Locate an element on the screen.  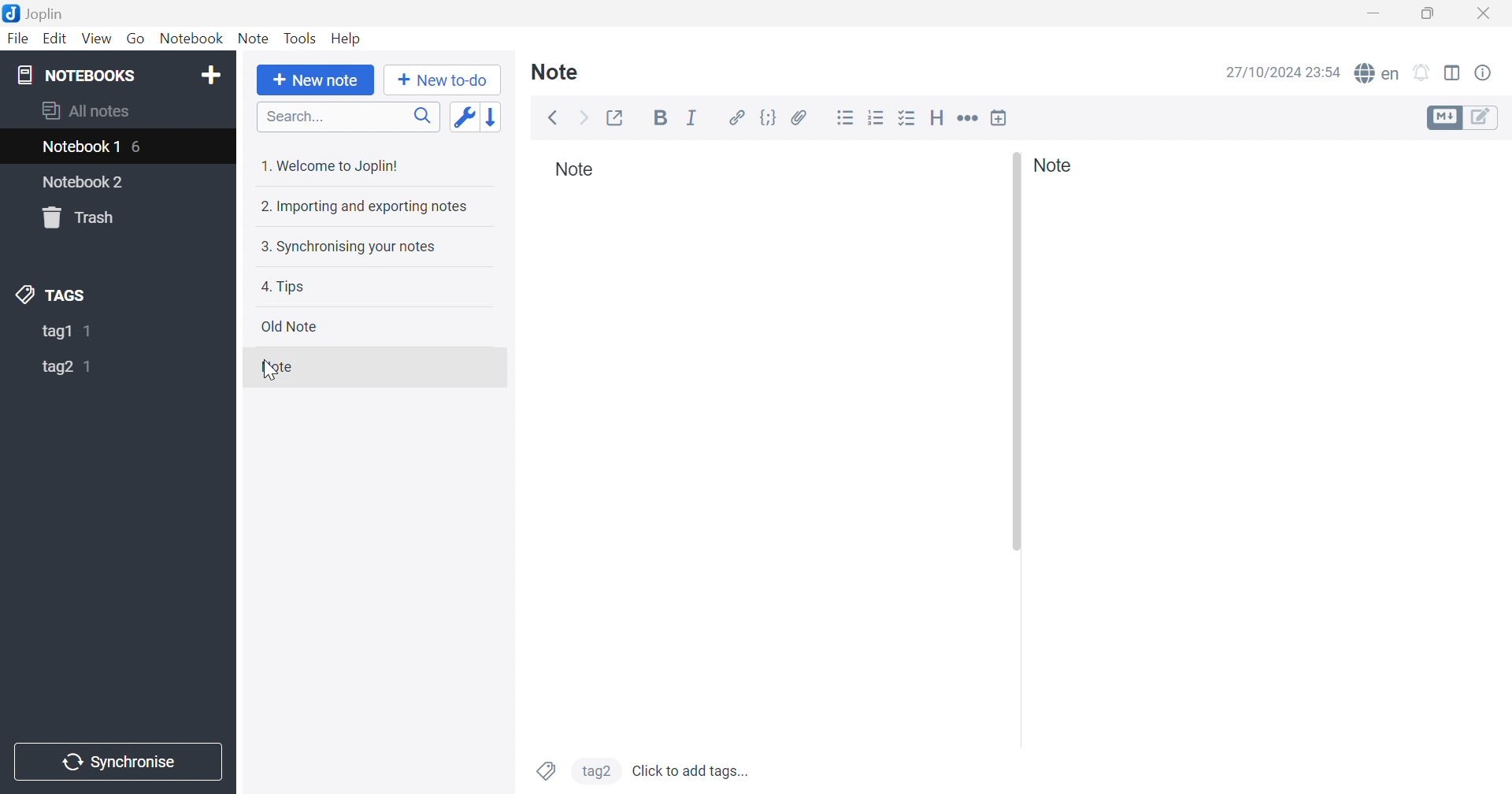
Note is located at coordinates (569, 169).